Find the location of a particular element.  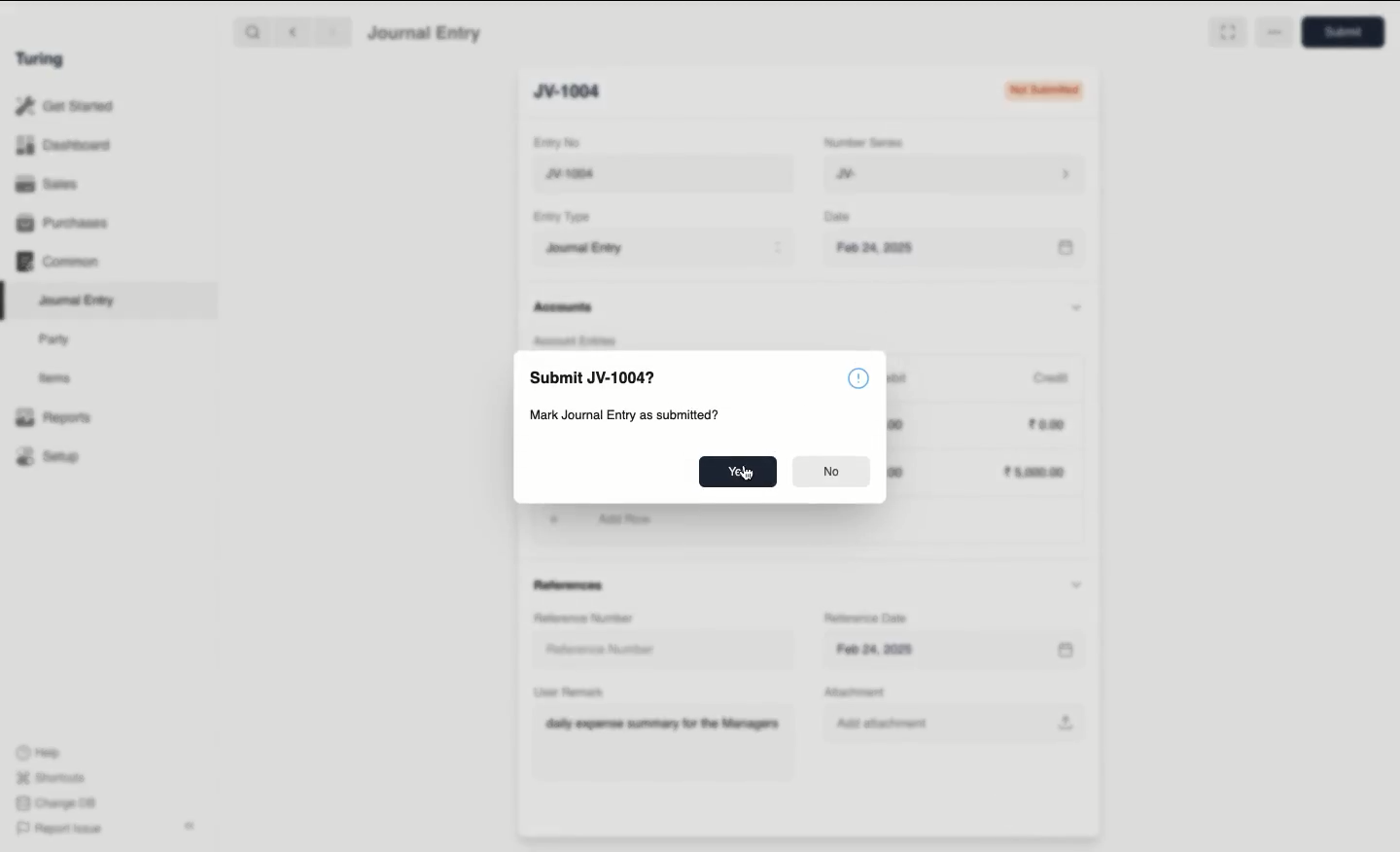

Reports is located at coordinates (53, 417).